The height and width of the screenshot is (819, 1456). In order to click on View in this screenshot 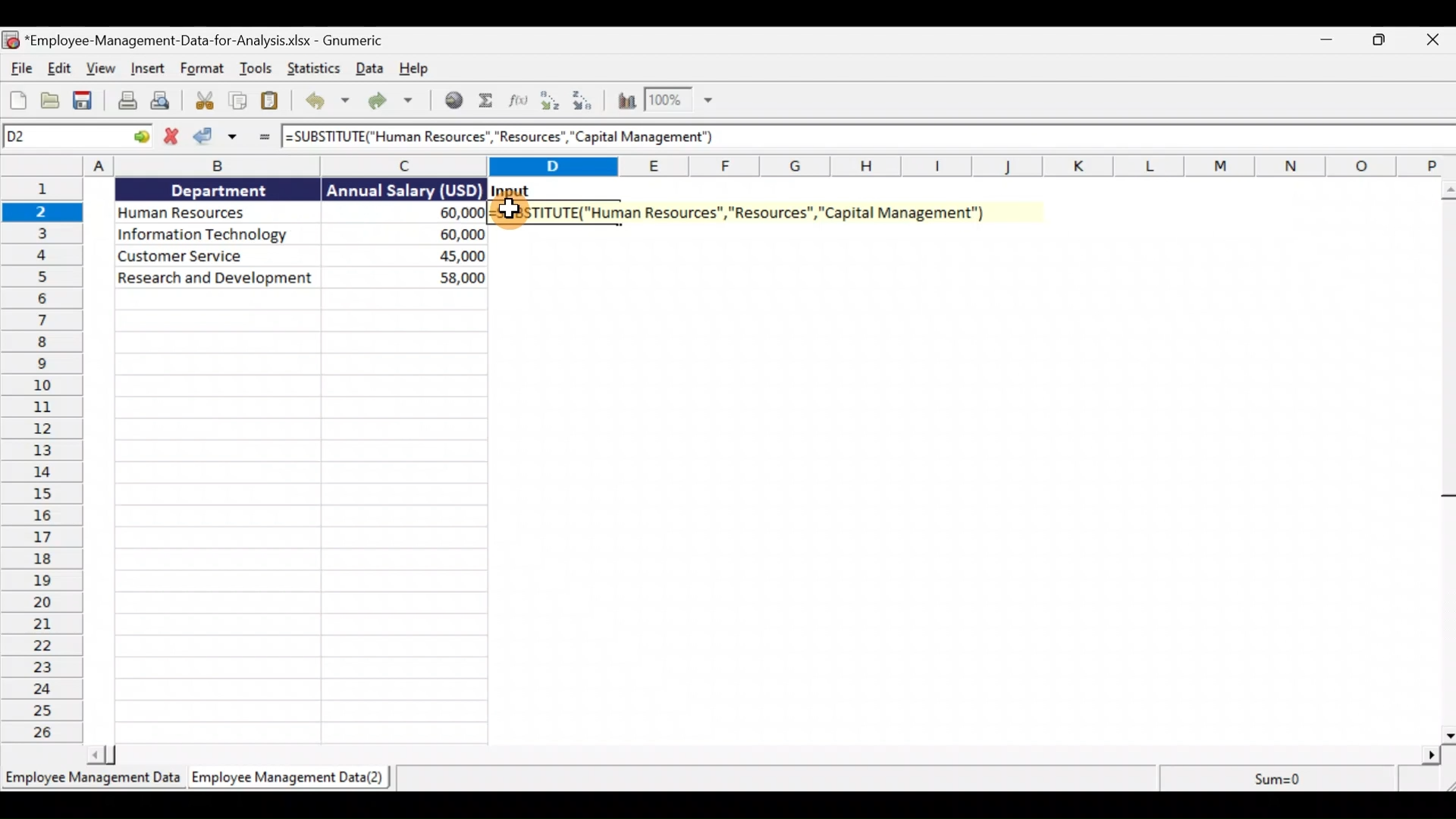, I will do `click(102, 67)`.